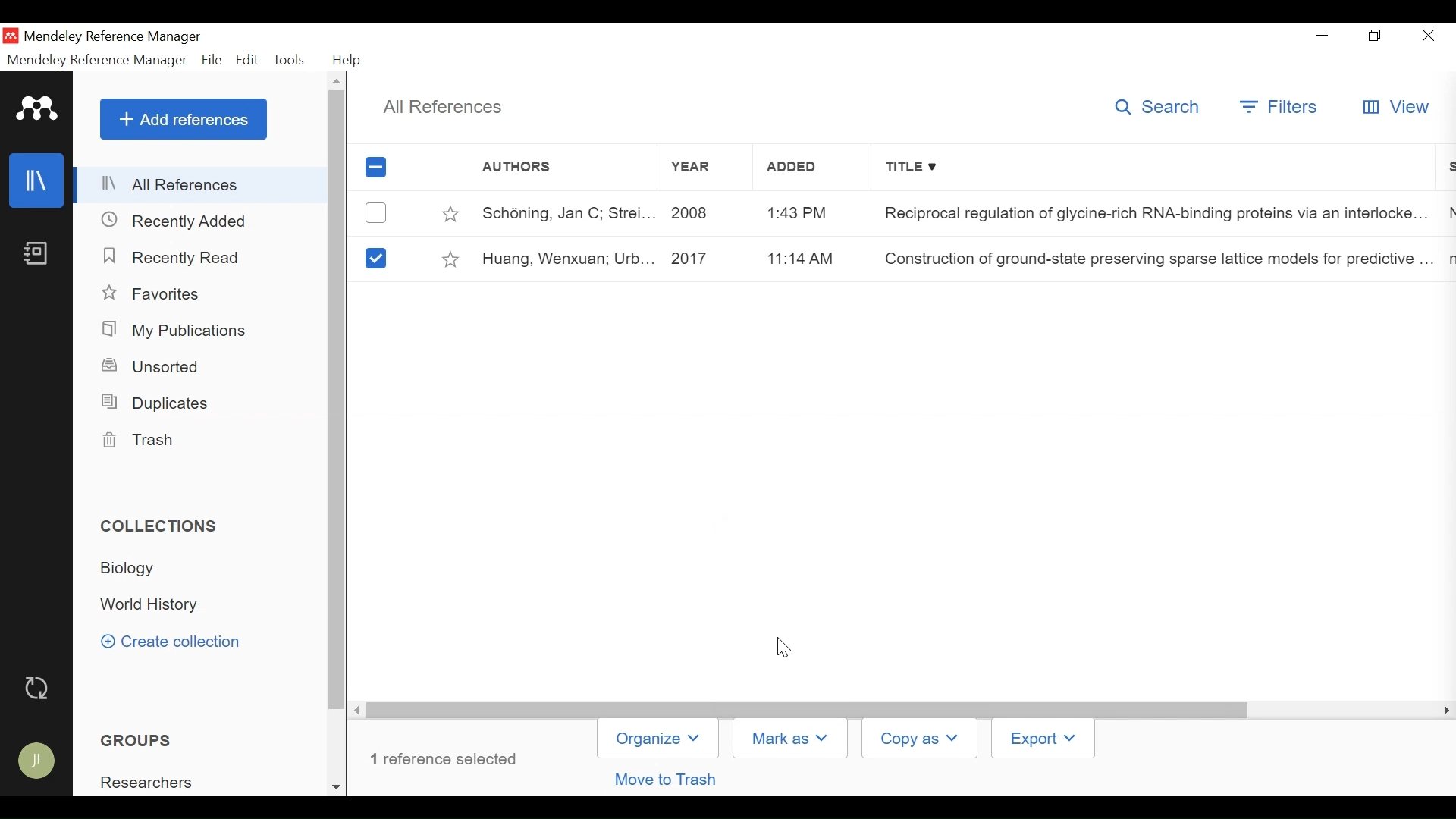  I want to click on Restore, so click(1377, 36).